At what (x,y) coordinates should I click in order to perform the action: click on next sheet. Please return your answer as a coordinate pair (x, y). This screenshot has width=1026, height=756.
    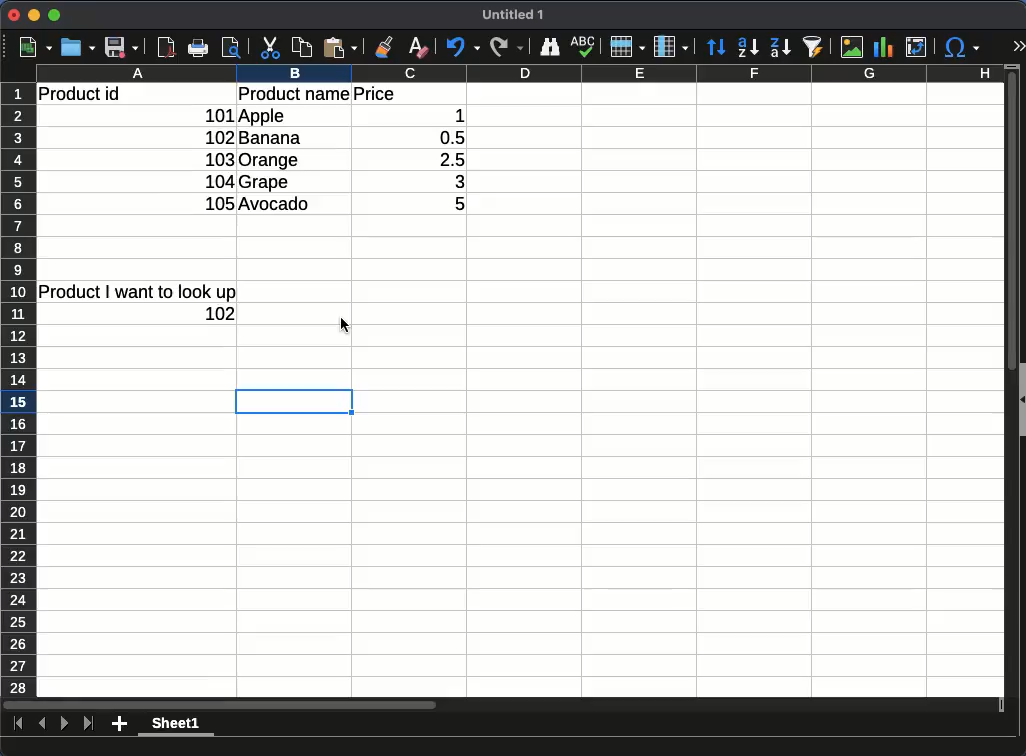
    Looking at the image, I should click on (64, 724).